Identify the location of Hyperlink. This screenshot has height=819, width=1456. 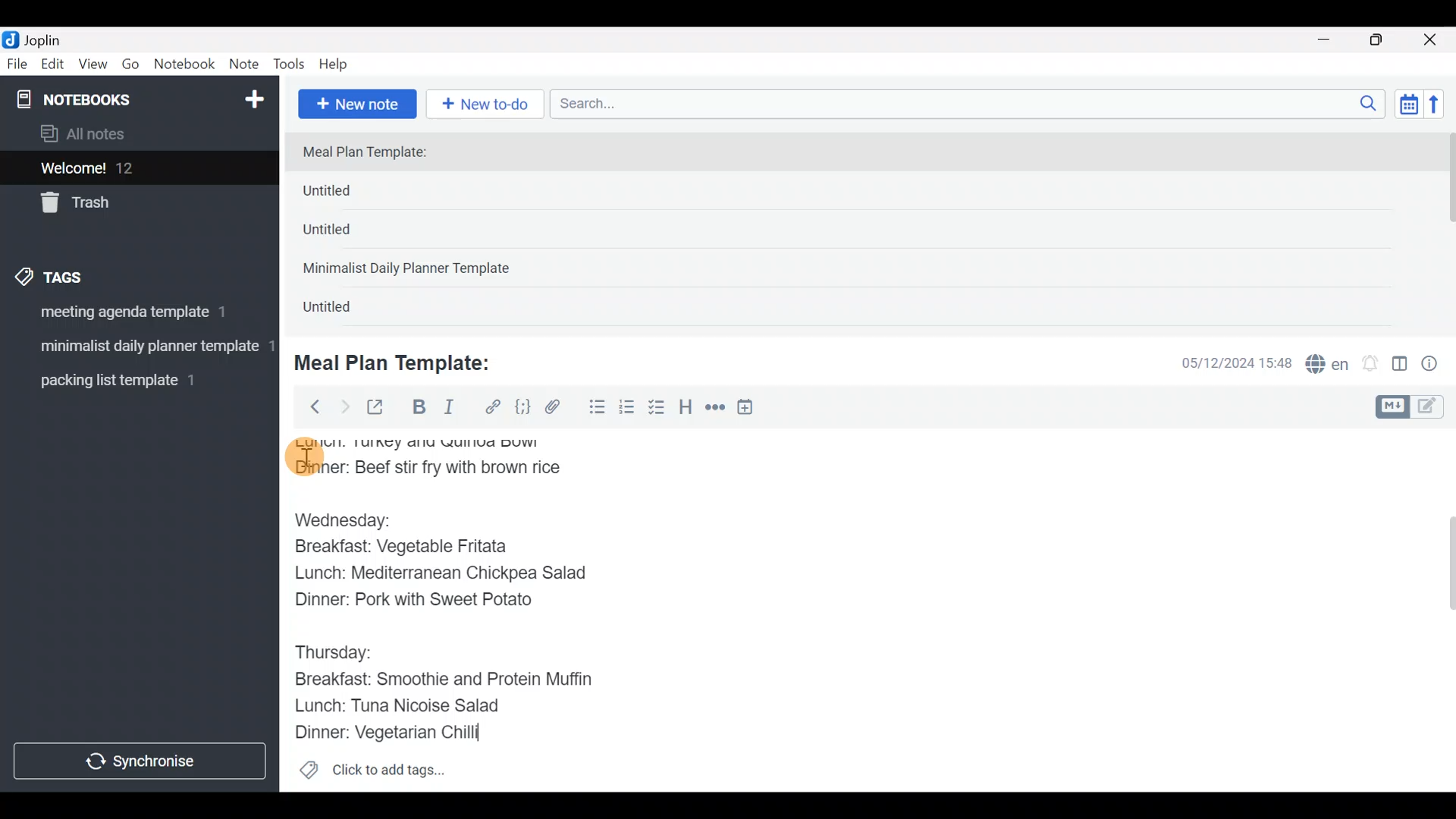
(493, 407).